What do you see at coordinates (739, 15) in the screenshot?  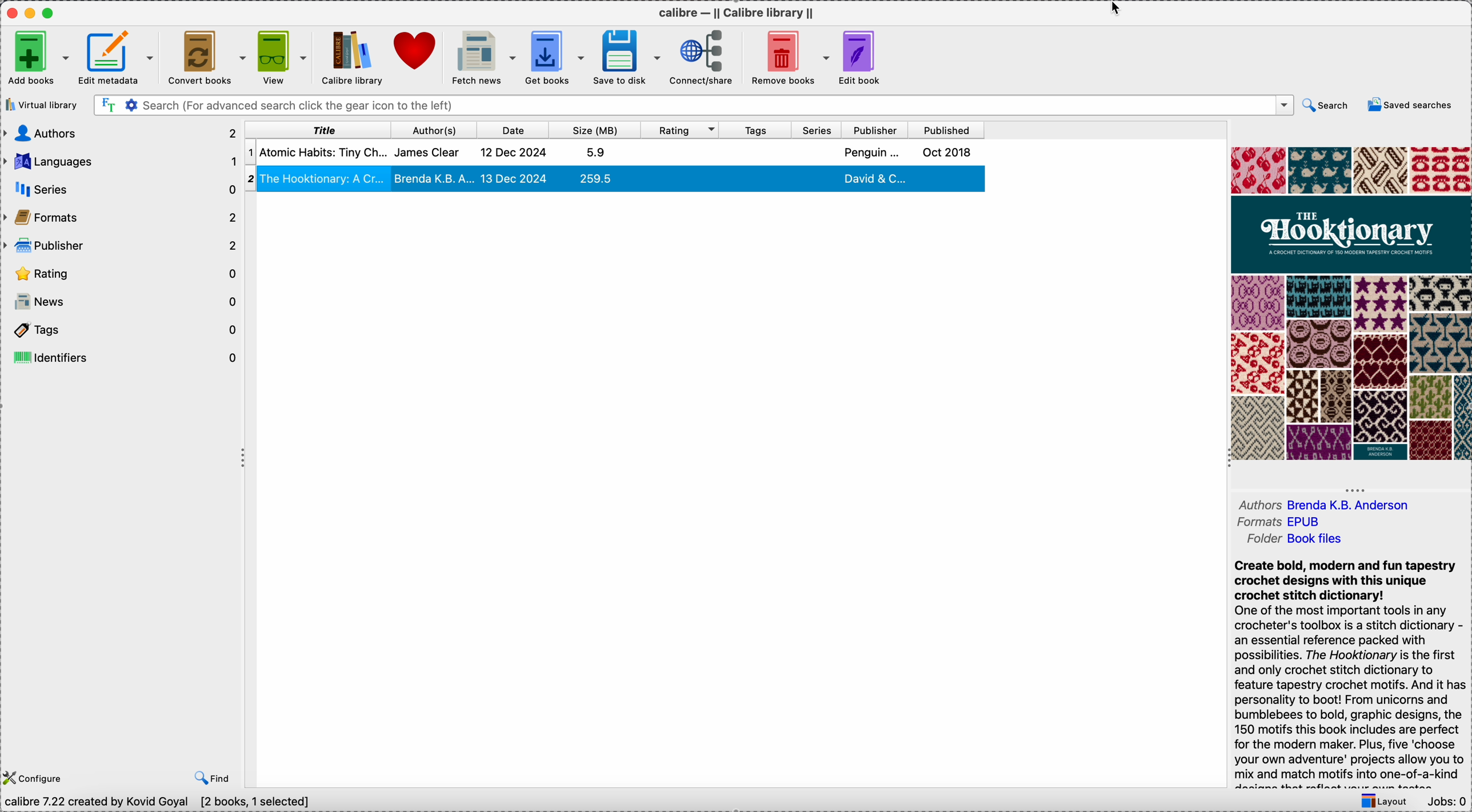 I see `calibre` at bounding box center [739, 15].